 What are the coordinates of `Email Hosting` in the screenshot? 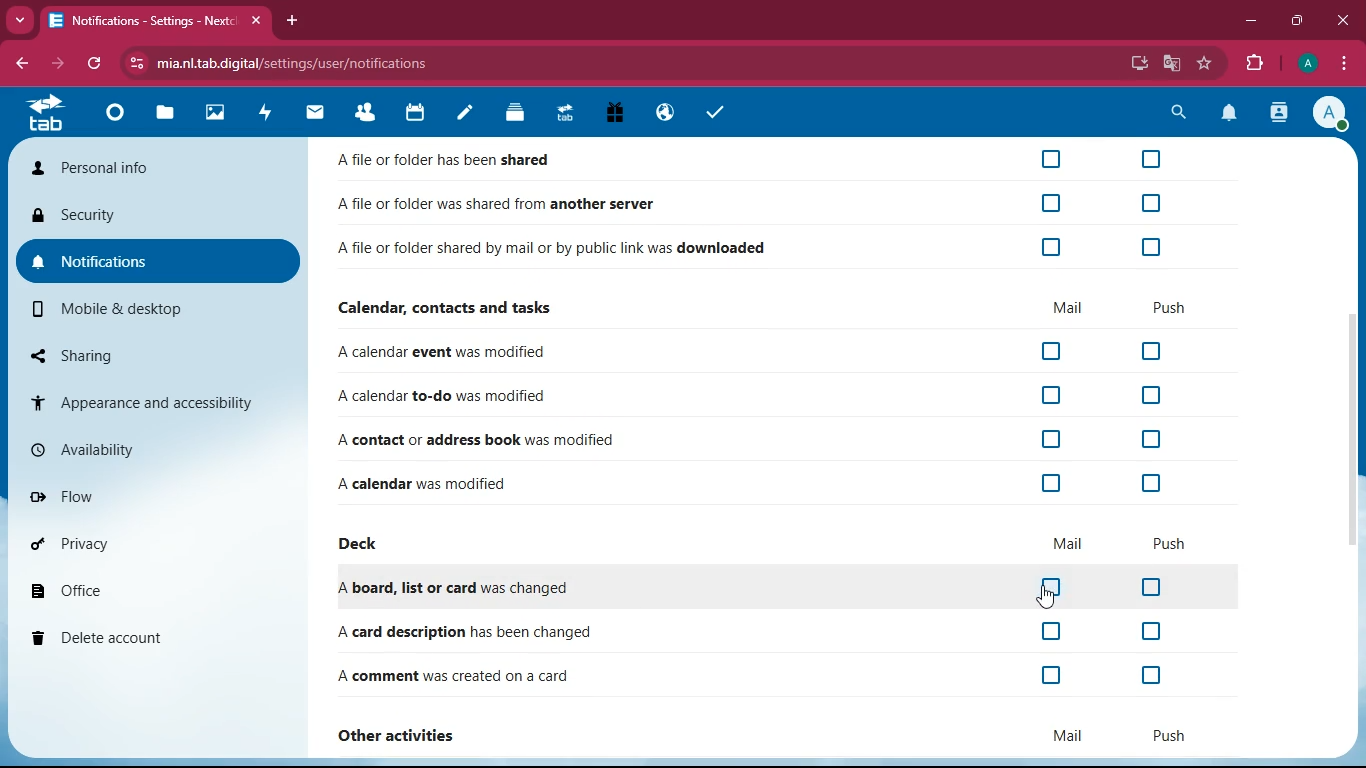 It's located at (666, 115).